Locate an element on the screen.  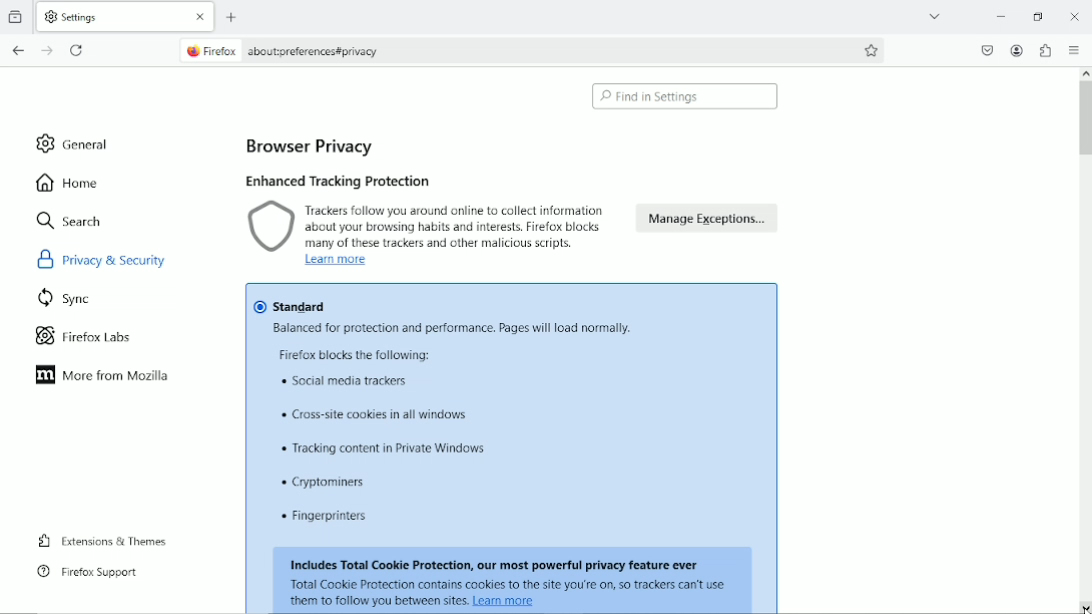
minimize is located at coordinates (1002, 15).